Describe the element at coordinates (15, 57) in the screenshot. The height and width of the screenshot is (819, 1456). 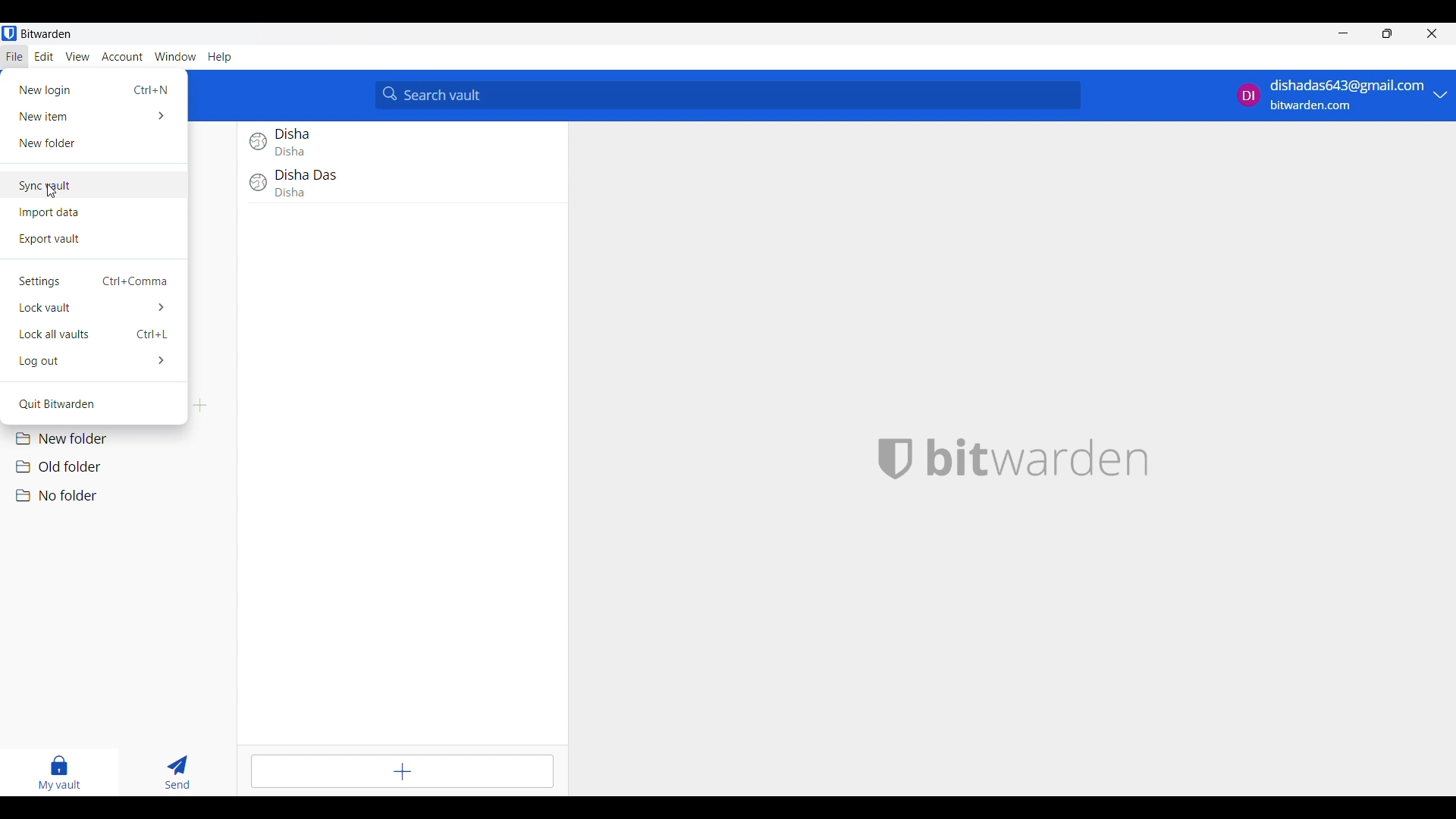
I see `Current menu highlighted` at that location.